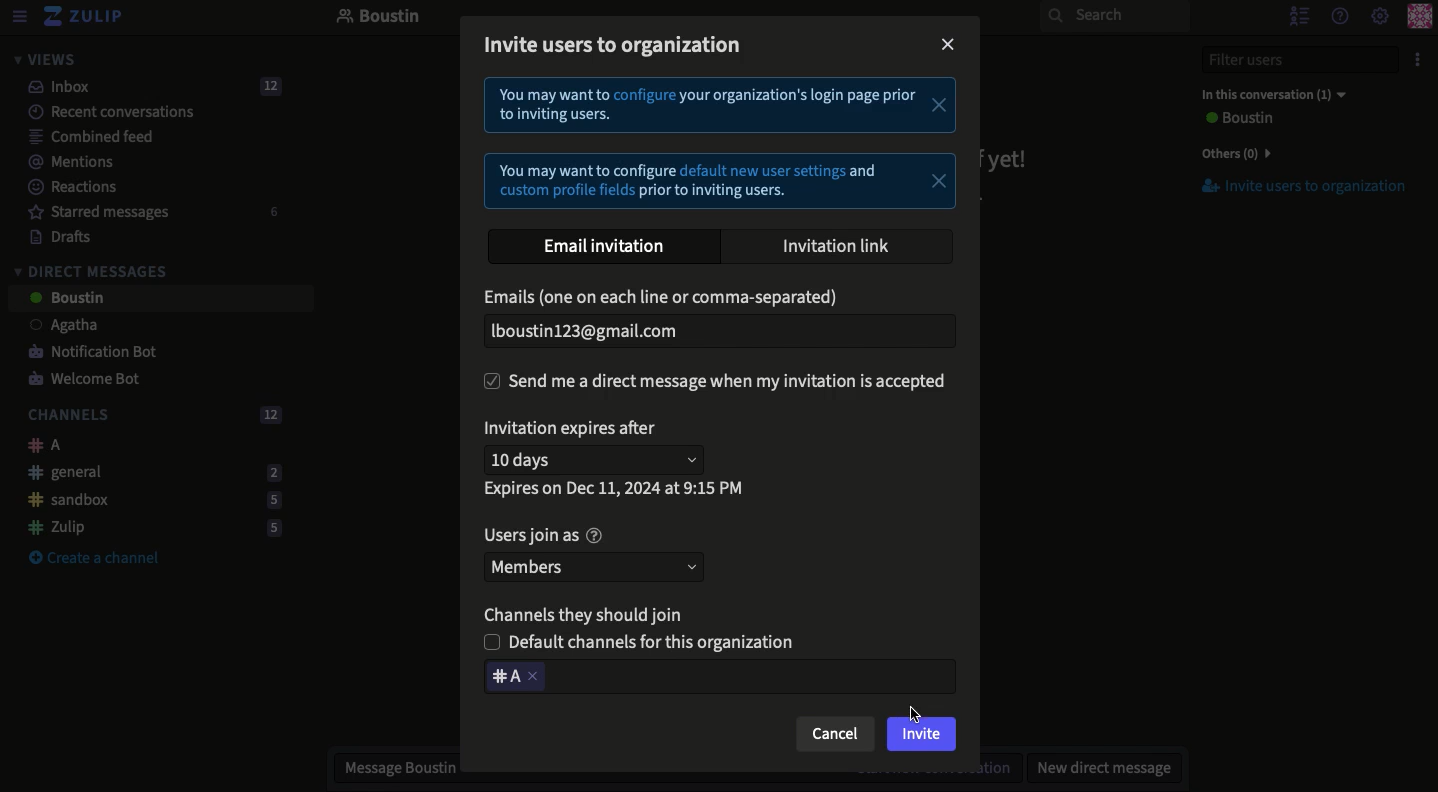  Describe the element at coordinates (590, 613) in the screenshot. I see `Channels they should join` at that location.